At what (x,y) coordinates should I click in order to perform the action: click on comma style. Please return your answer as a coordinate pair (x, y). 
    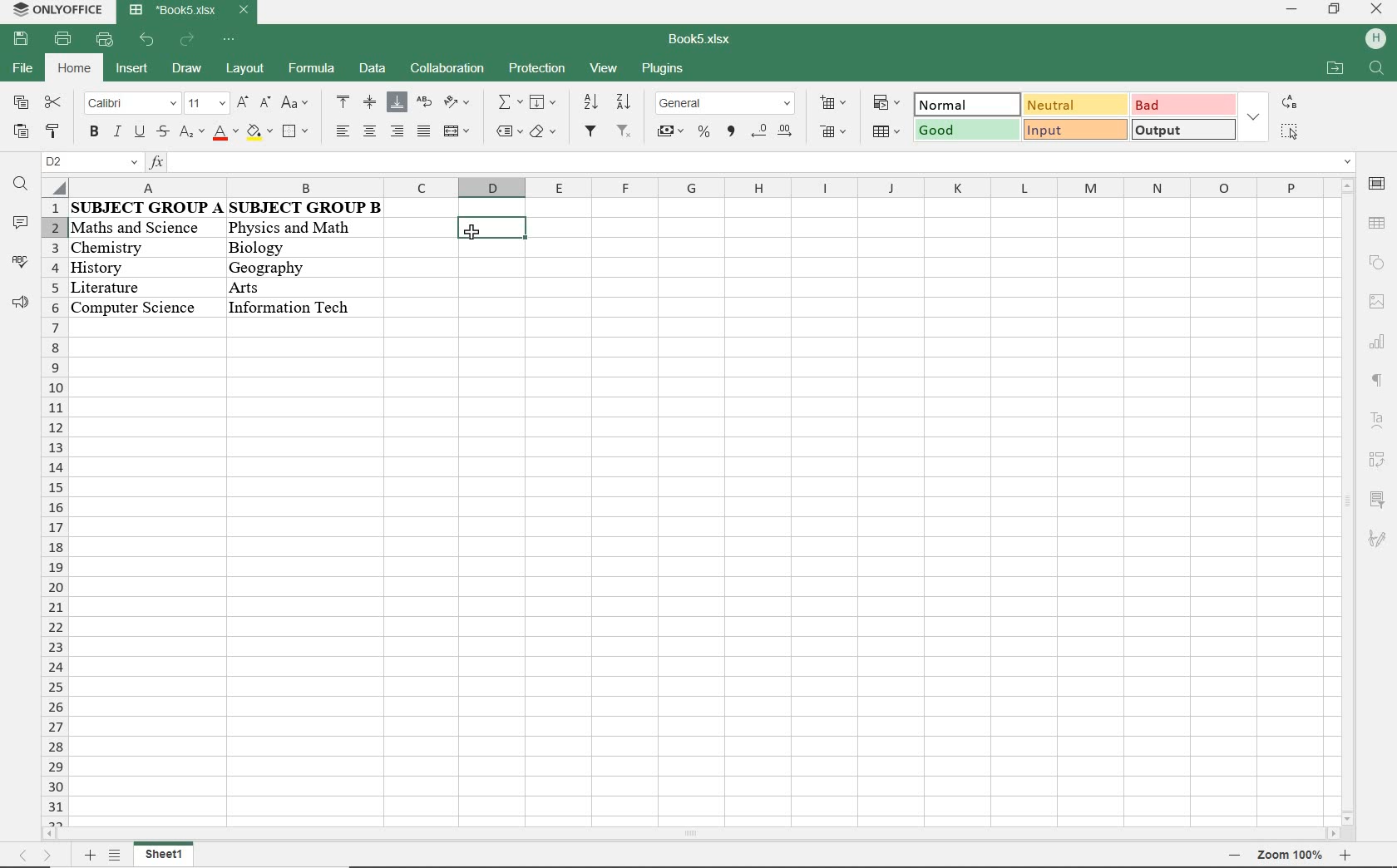
    Looking at the image, I should click on (732, 131).